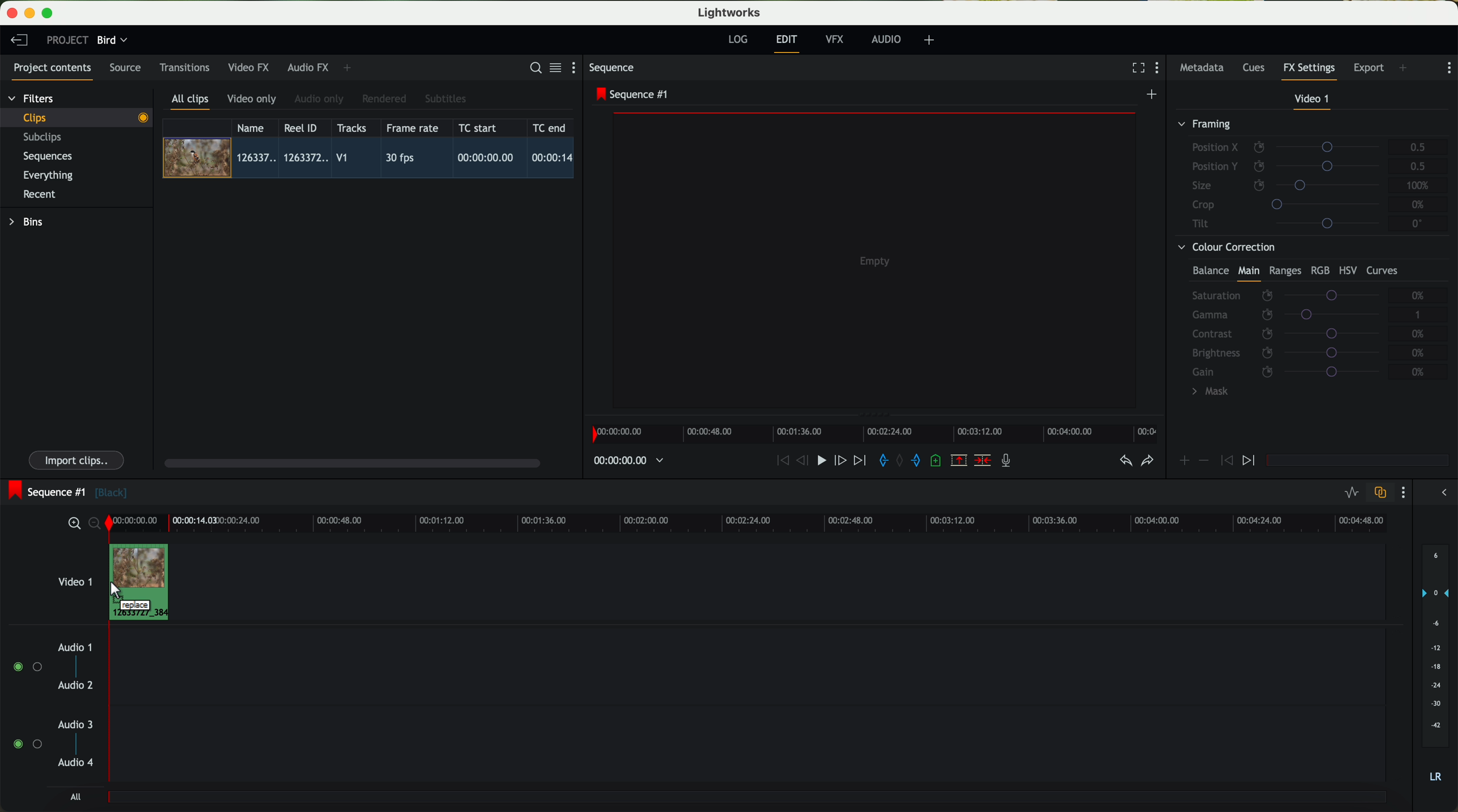  What do you see at coordinates (1250, 461) in the screenshot?
I see `icon` at bounding box center [1250, 461].